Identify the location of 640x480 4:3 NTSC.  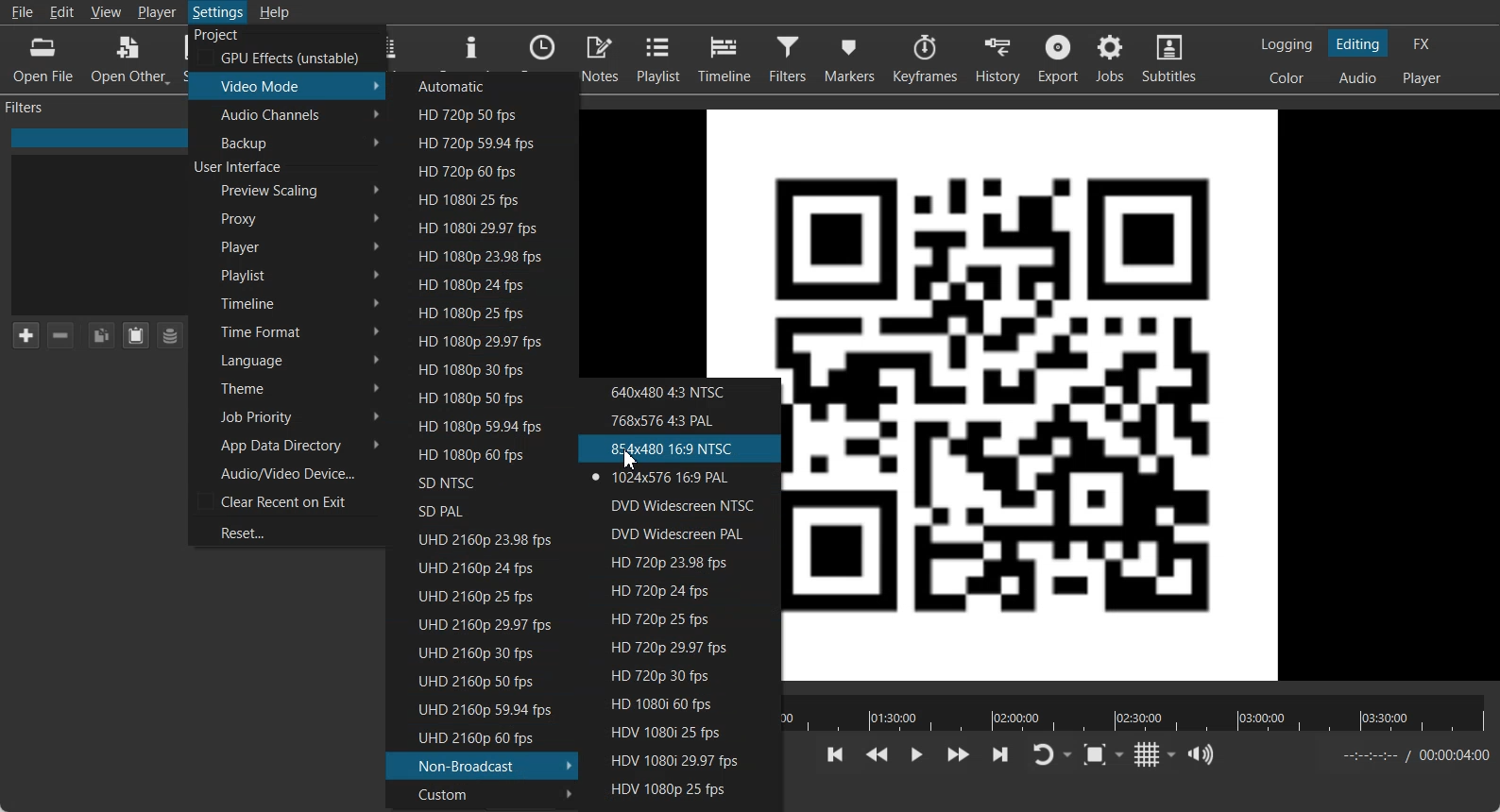
(680, 391).